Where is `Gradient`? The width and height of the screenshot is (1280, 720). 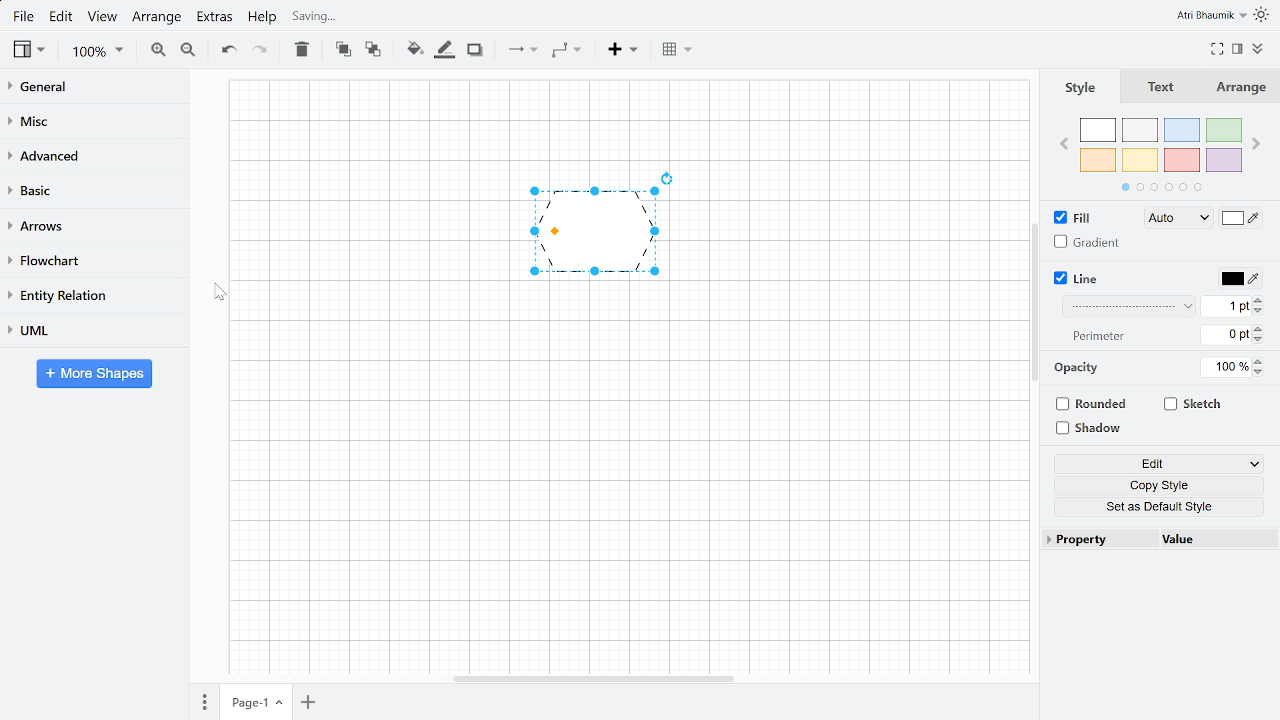
Gradient is located at coordinates (1087, 242).